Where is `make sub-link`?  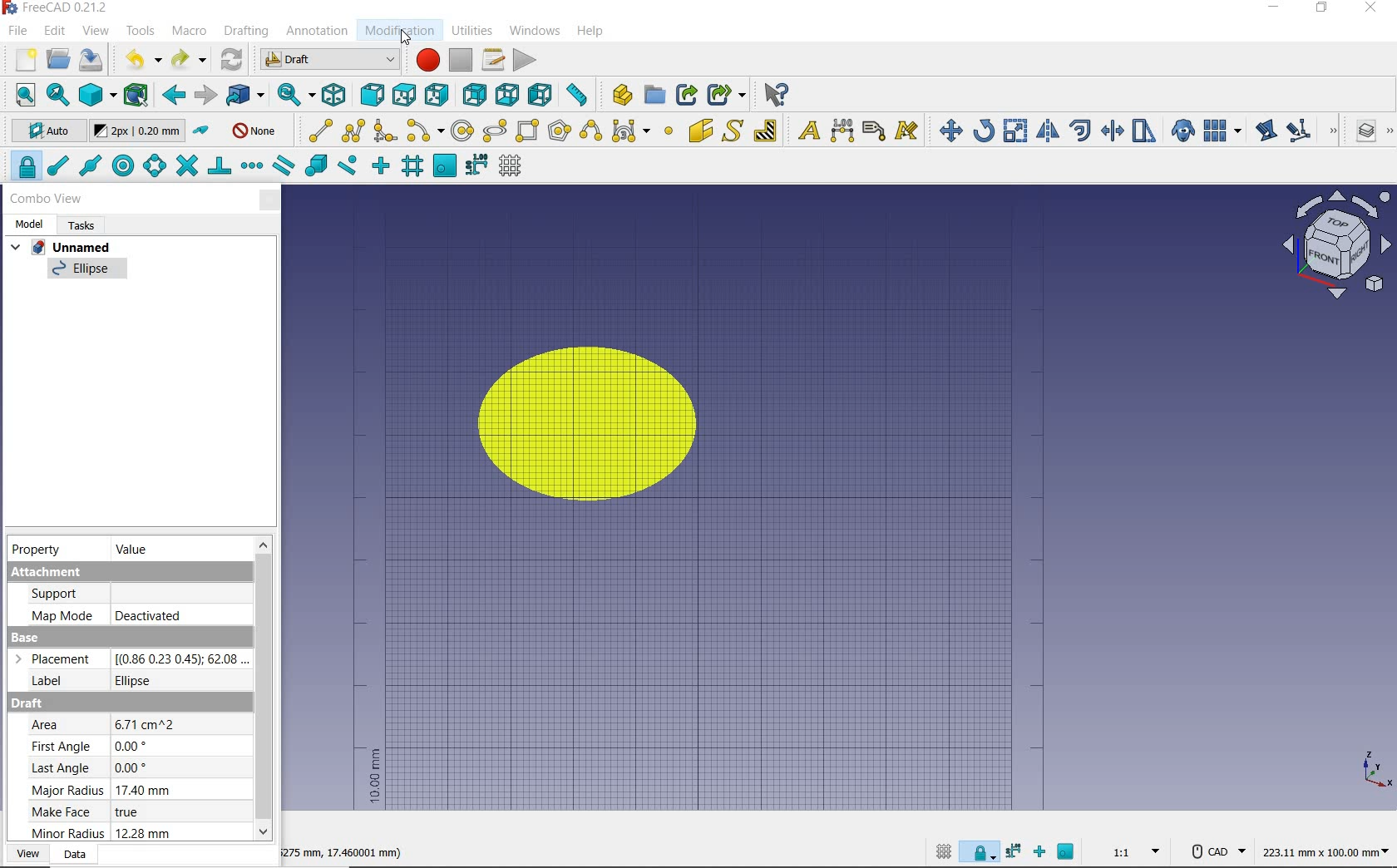 make sub-link is located at coordinates (727, 96).